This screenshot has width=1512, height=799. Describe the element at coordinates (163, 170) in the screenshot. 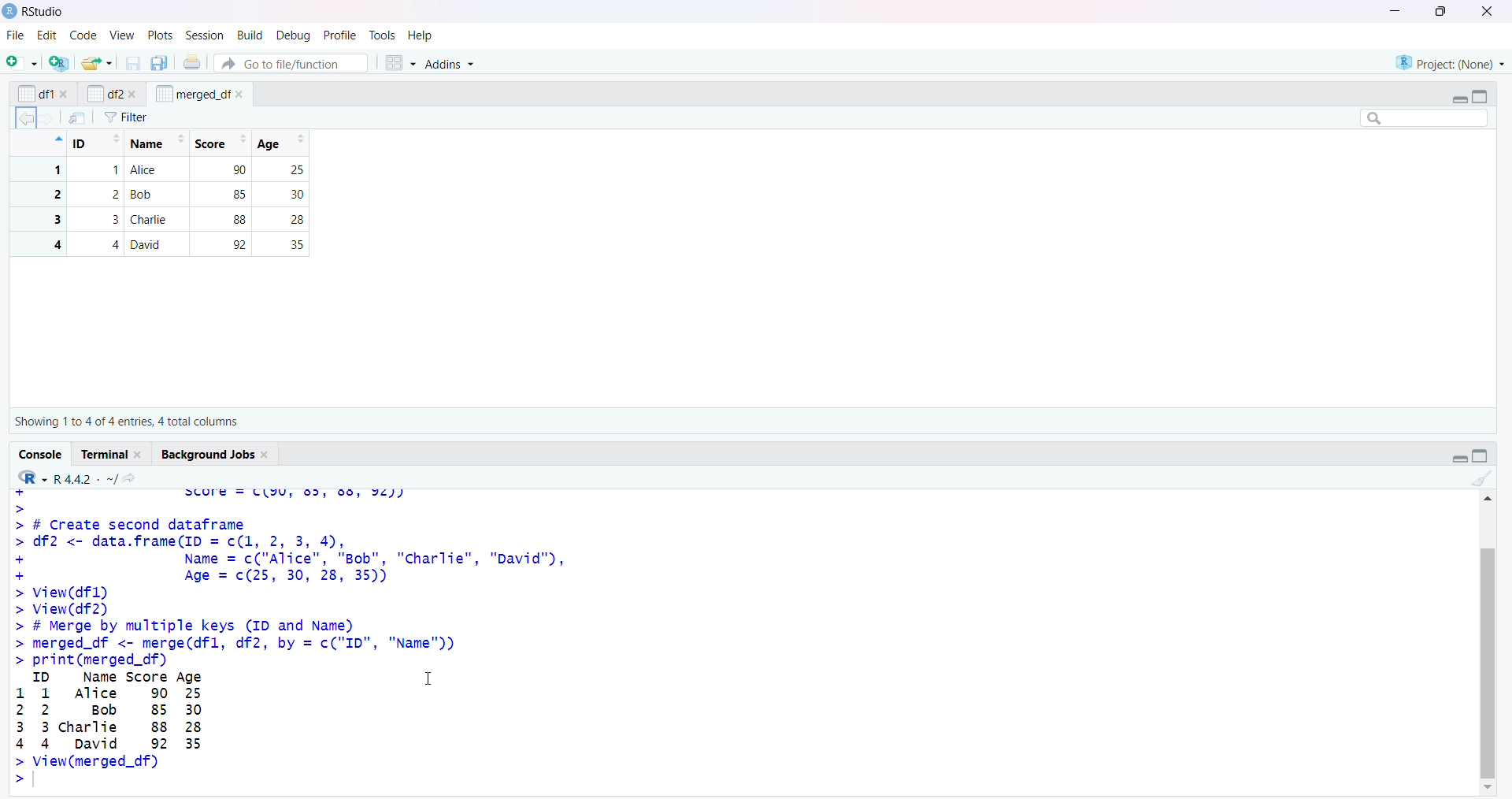

I see `1 1 Alice 90 25` at that location.